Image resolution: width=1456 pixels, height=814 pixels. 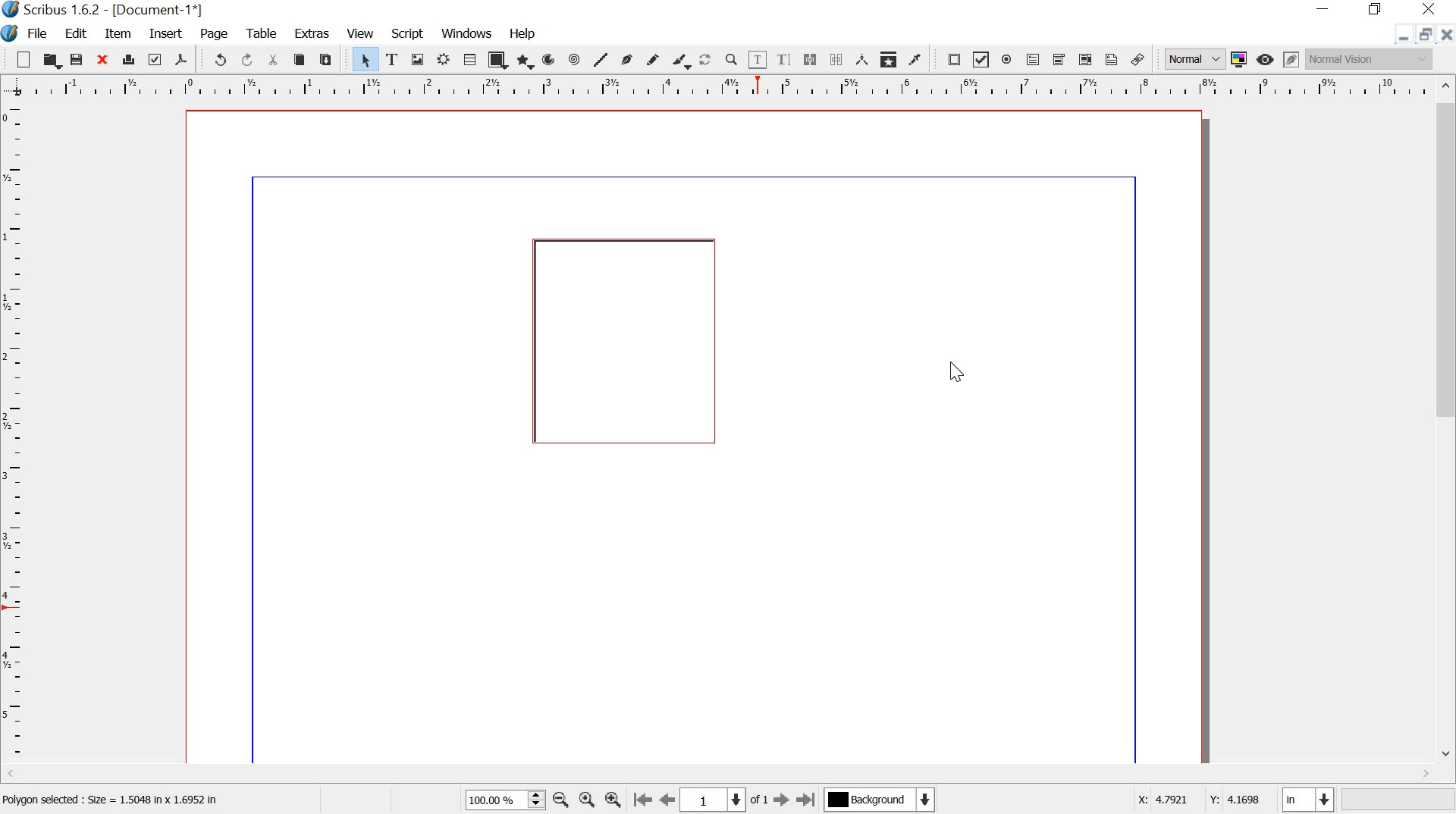 I want to click on preview mode, so click(x=1266, y=59).